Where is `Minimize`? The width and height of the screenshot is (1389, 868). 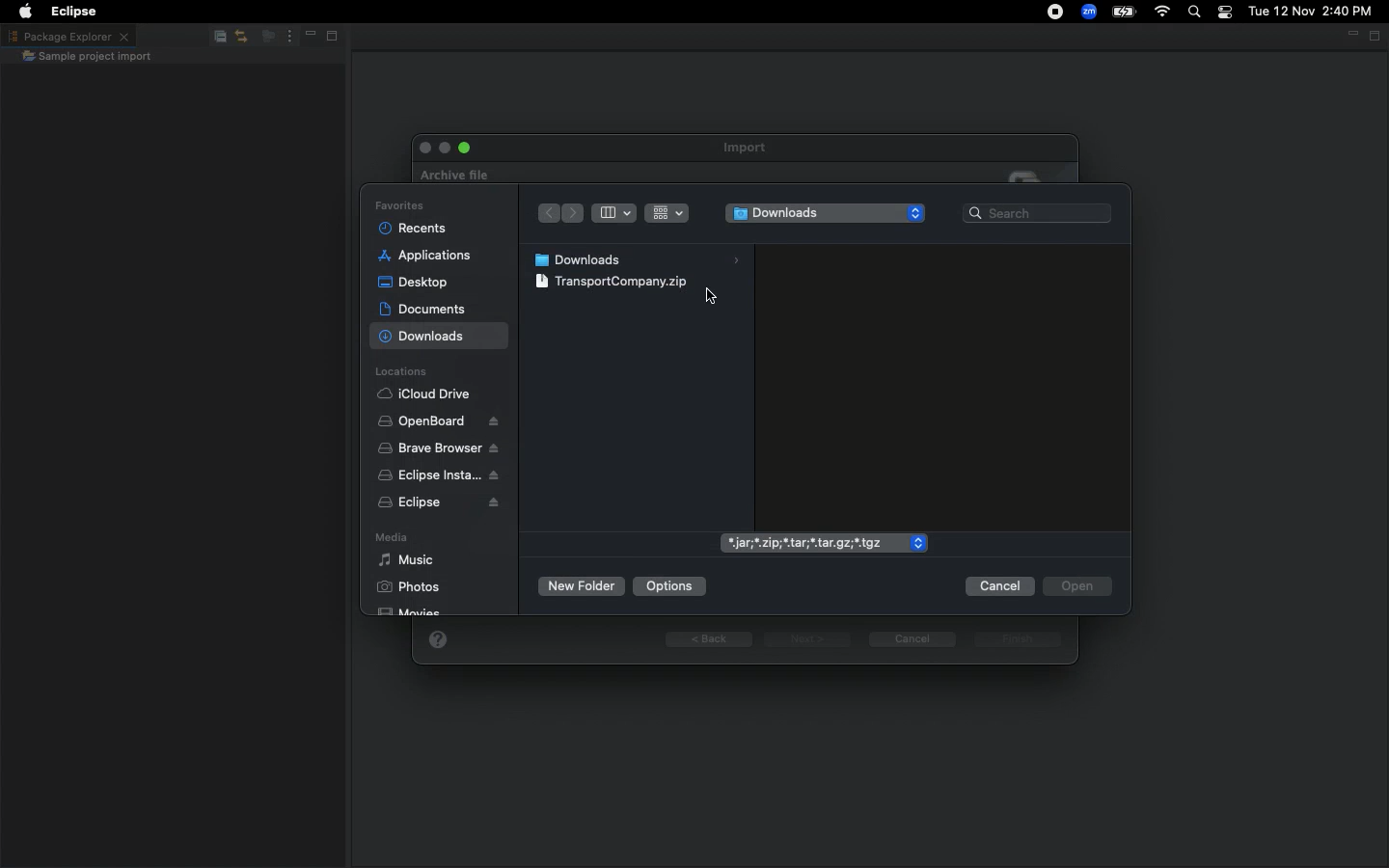 Minimize is located at coordinates (1350, 35).